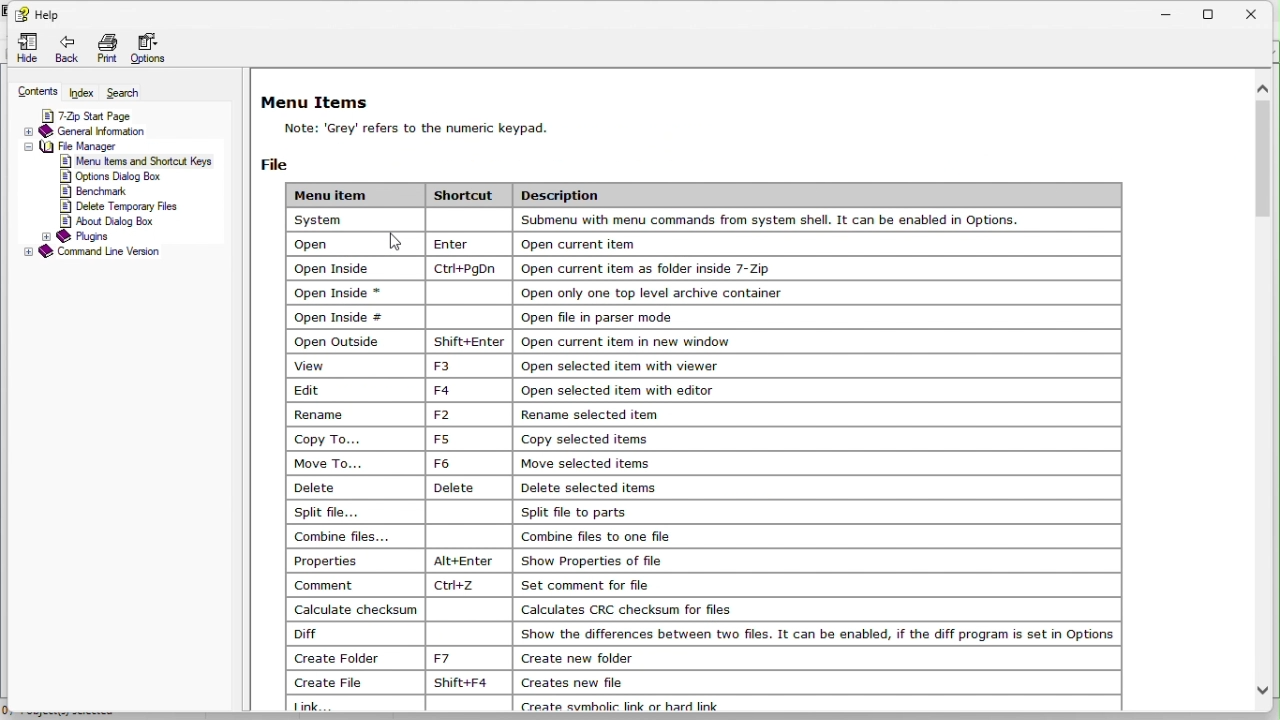  Describe the element at coordinates (511, 242) in the screenshot. I see `| open | Enter | Open current item` at that location.